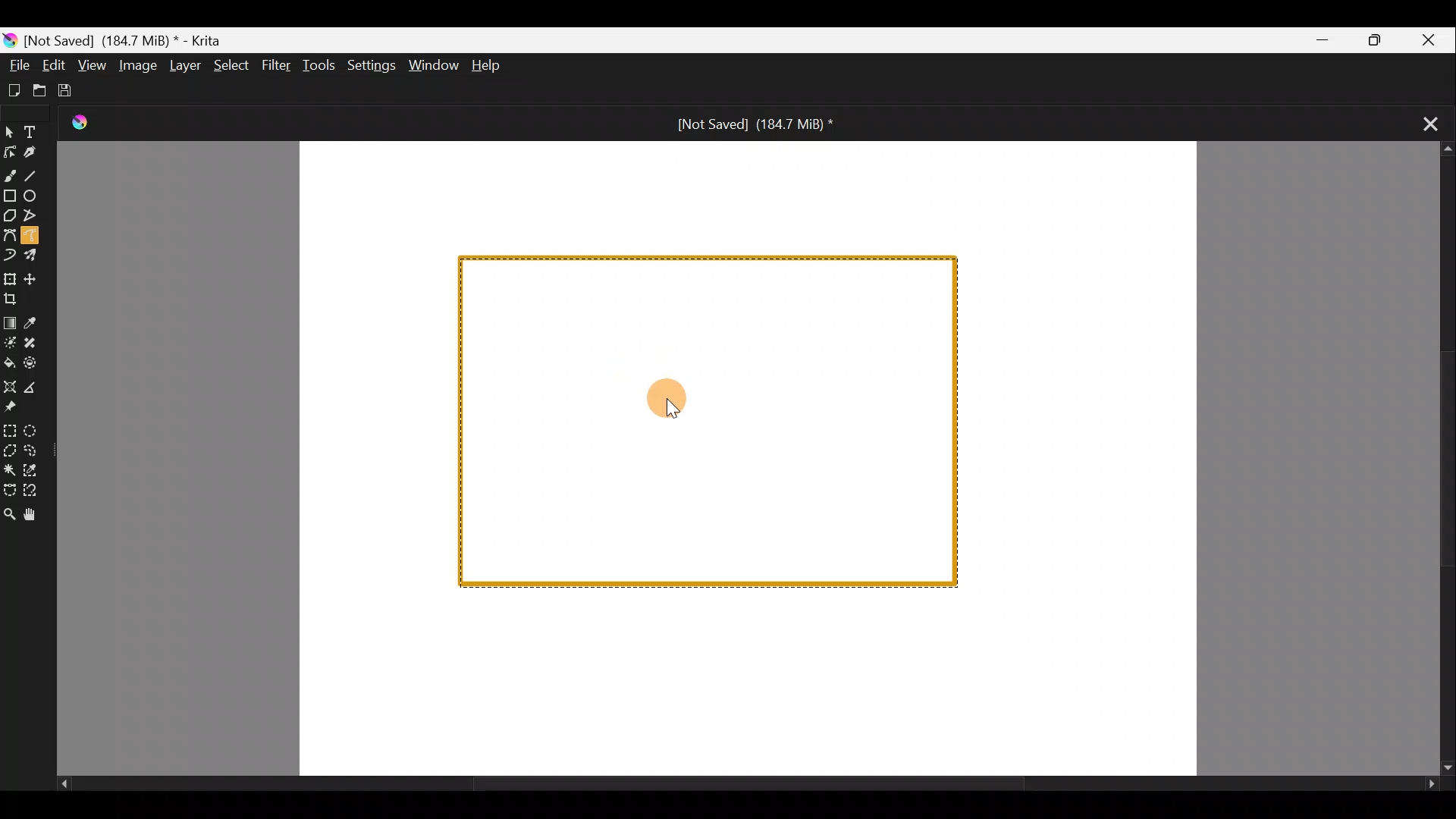 The image size is (1456, 819). What do you see at coordinates (1420, 127) in the screenshot?
I see `Close tab` at bounding box center [1420, 127].